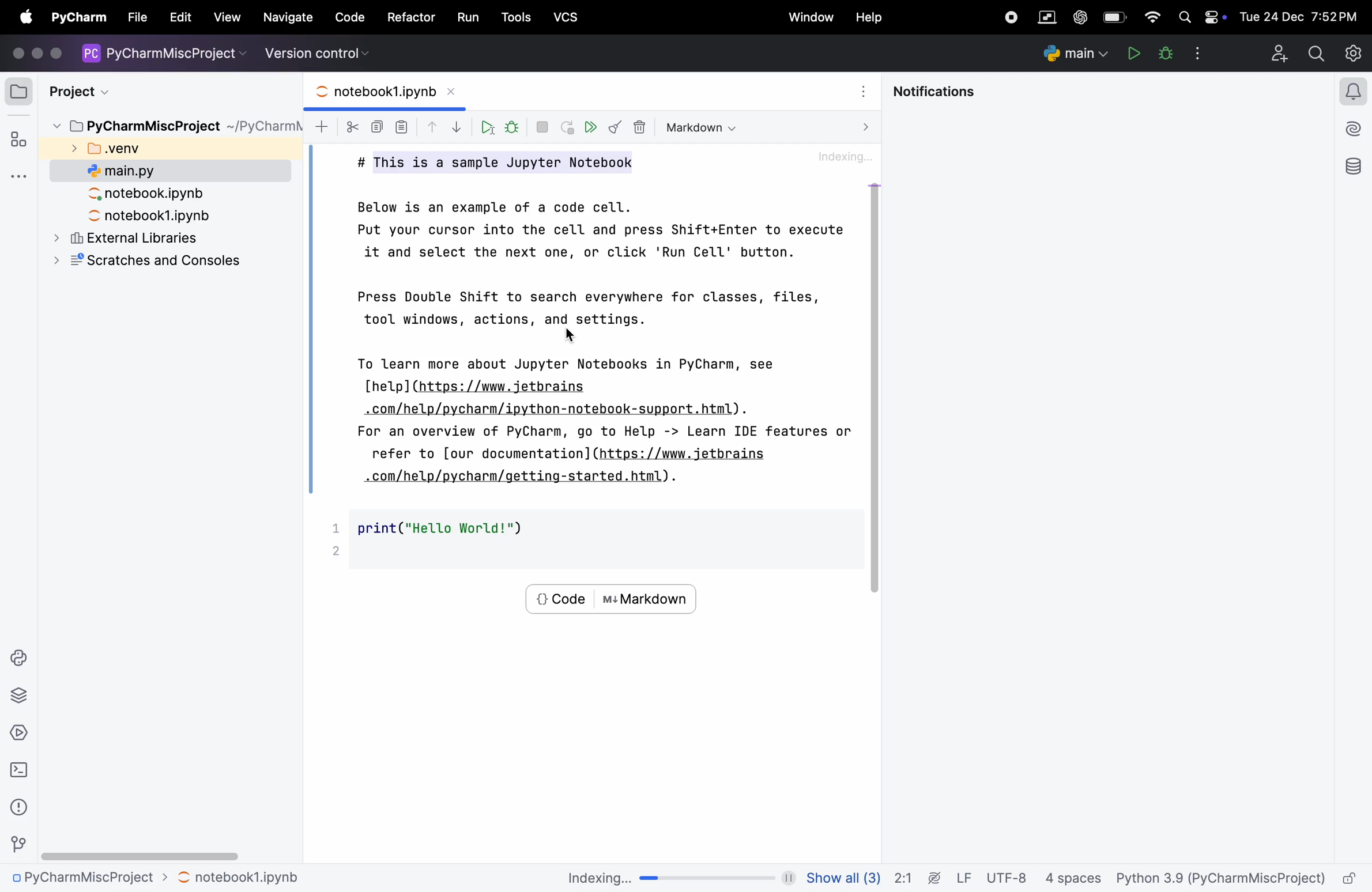 The width and height of the screenshot is (1372, 892). What do you see at coordinates (227, 18) in the screenshot?
I see `view` at bounding box center [227, 18].